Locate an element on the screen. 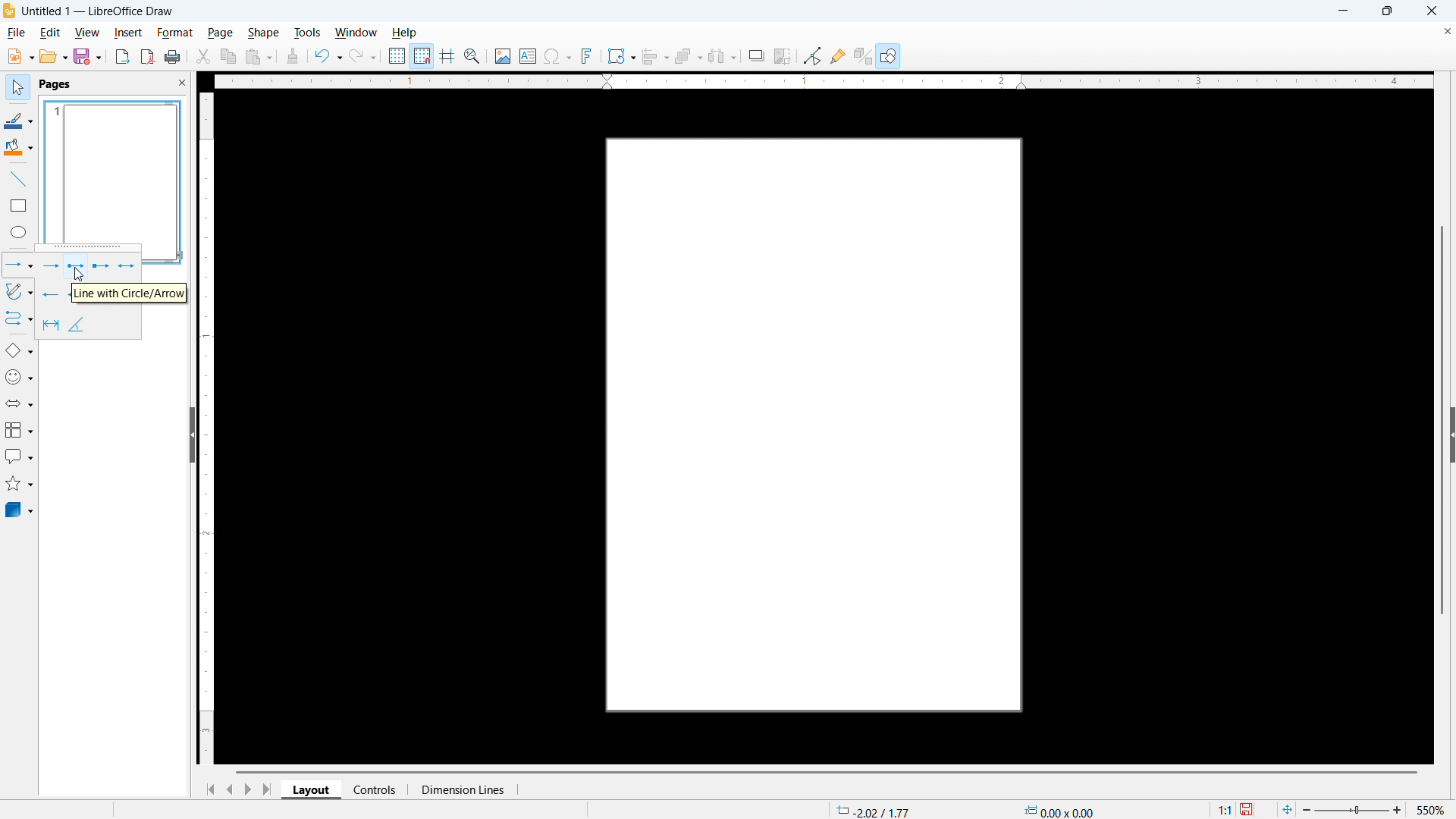 The height and width of the screenshot is (819, 1456). Controls  is located at coordinates (376, 789).